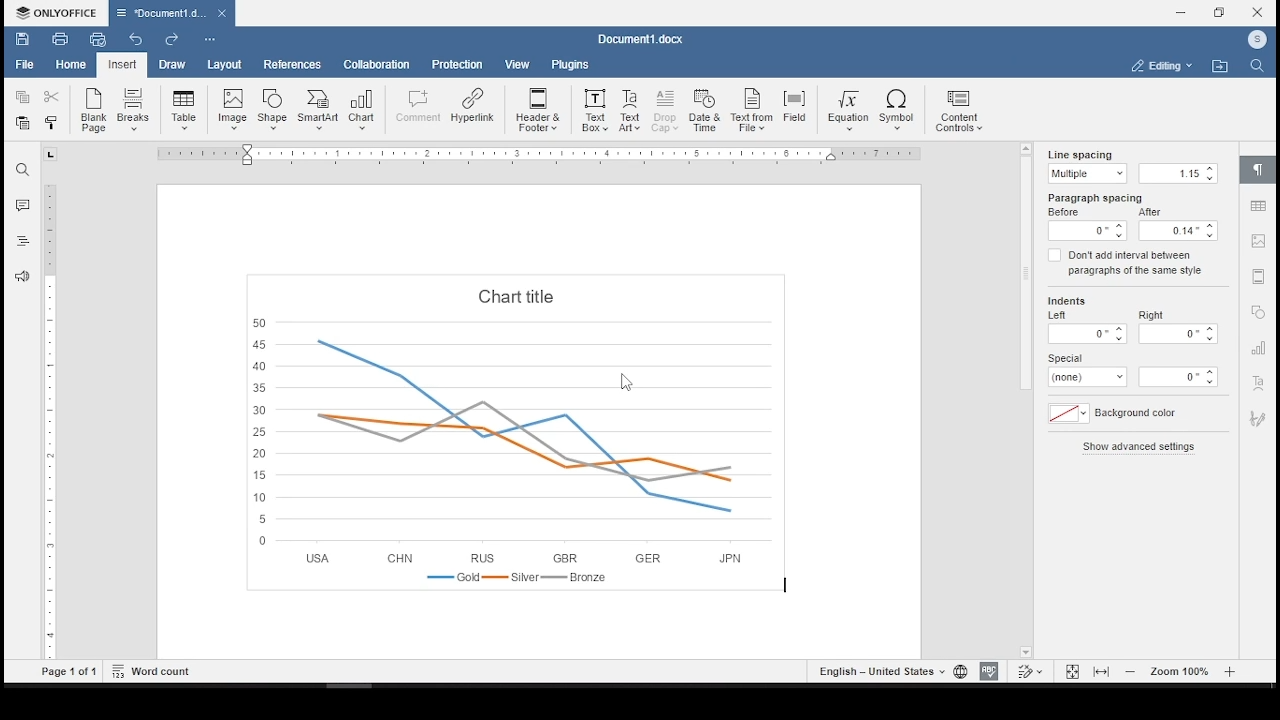  What do you see at coordinates (639, 40) in the screenshot?
I see `Document3.docx` at bounding box center [639, 40].